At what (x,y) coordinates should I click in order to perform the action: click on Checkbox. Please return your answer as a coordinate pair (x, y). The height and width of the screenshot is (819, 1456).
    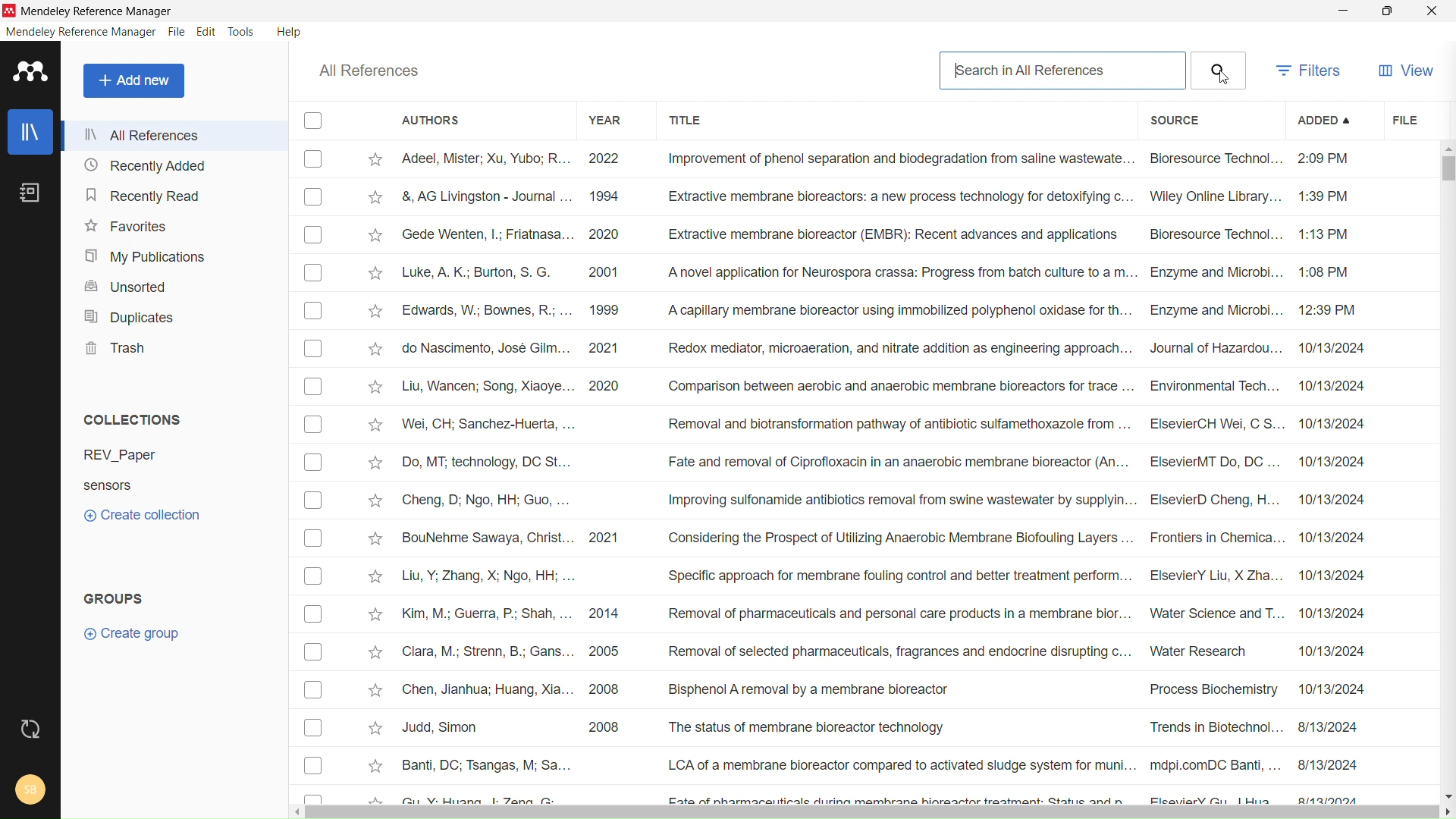
    Looking at the image, I should click on (314, 272).